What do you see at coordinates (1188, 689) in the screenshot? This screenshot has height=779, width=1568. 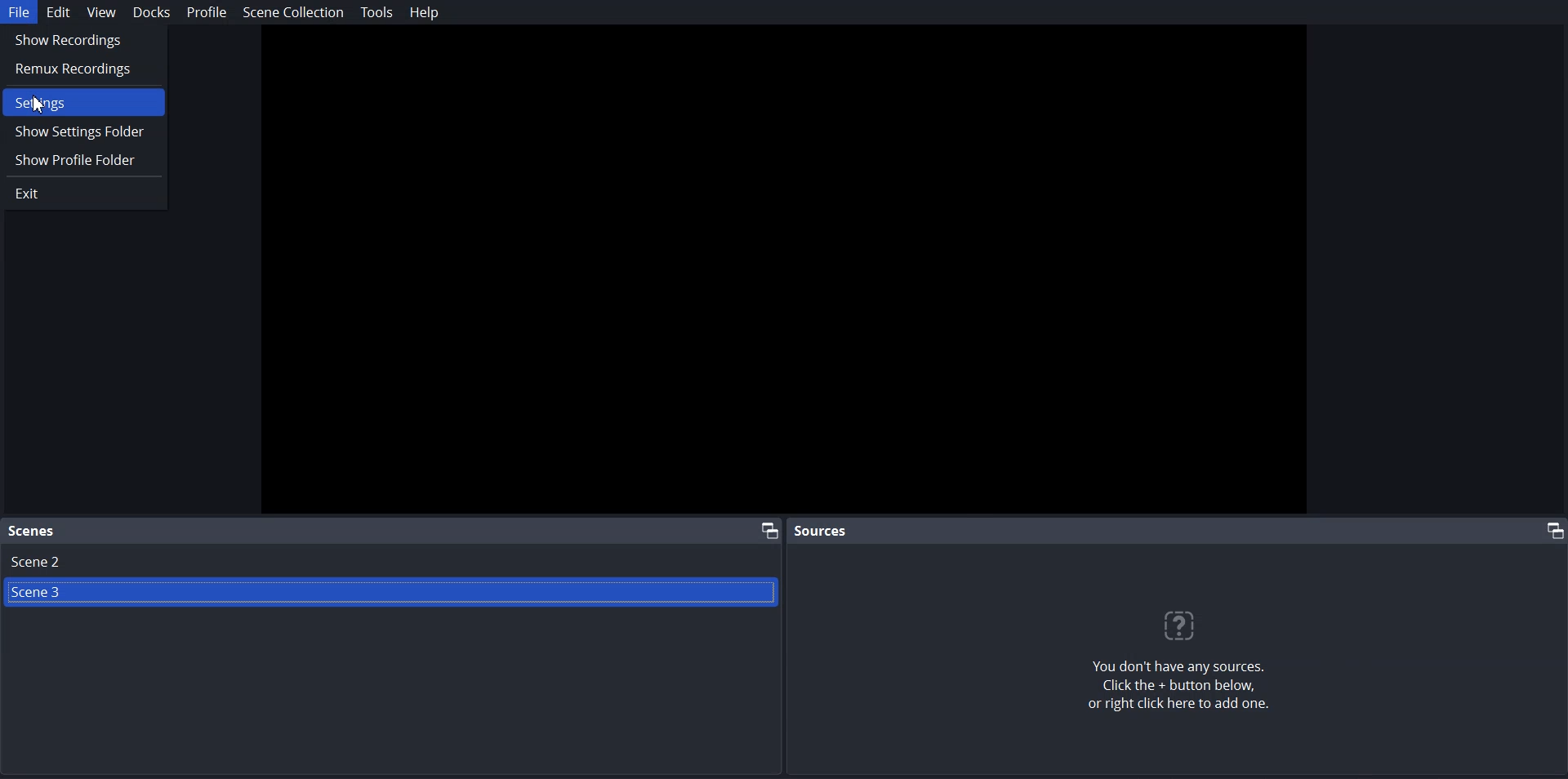 I see `You don’t have any sources.
Click the + button below,
or right click here to add one.` at bounding box center [1188, 689].